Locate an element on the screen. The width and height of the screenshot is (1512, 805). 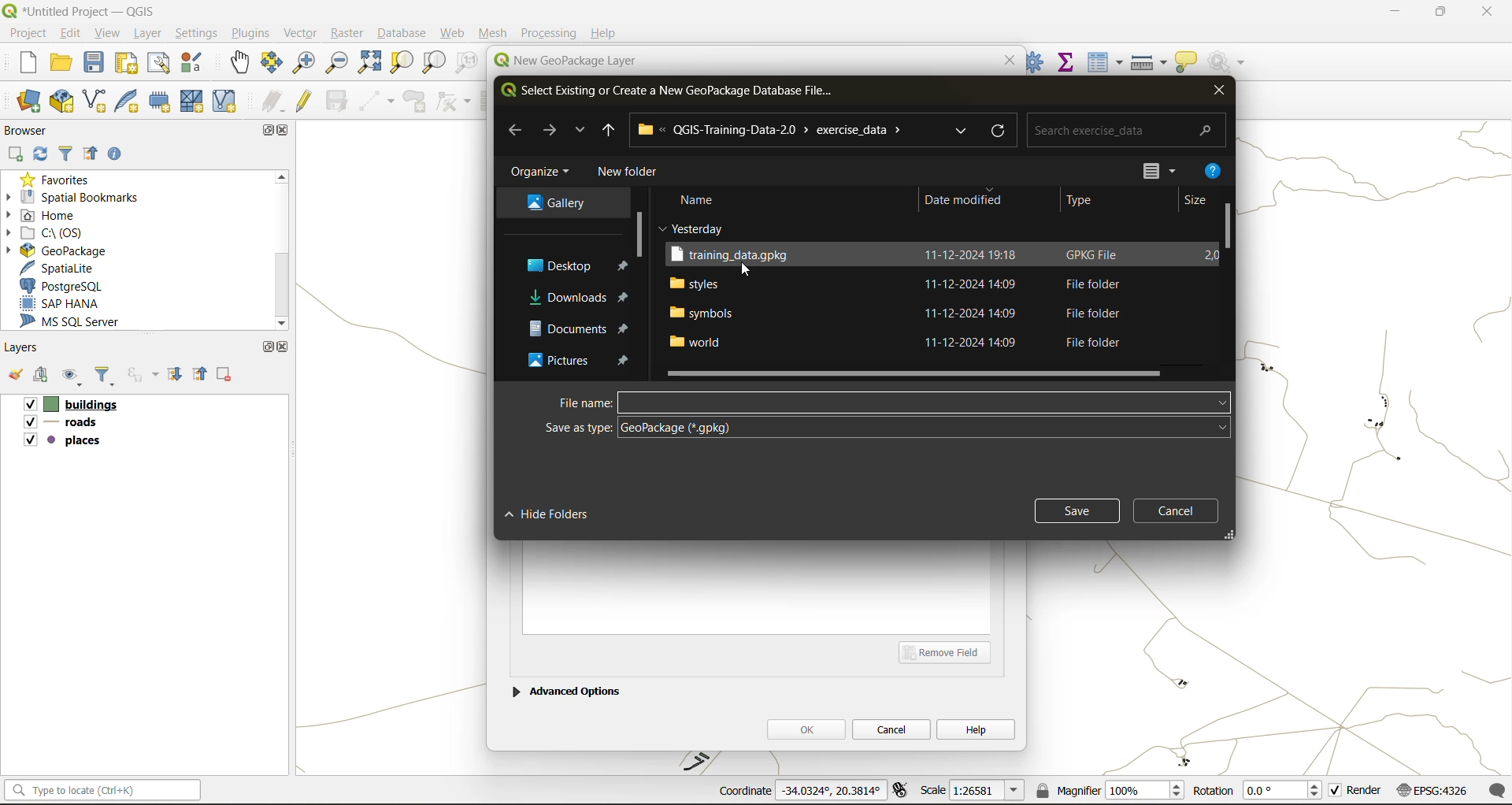
remove is located at coordinates (225, 377).